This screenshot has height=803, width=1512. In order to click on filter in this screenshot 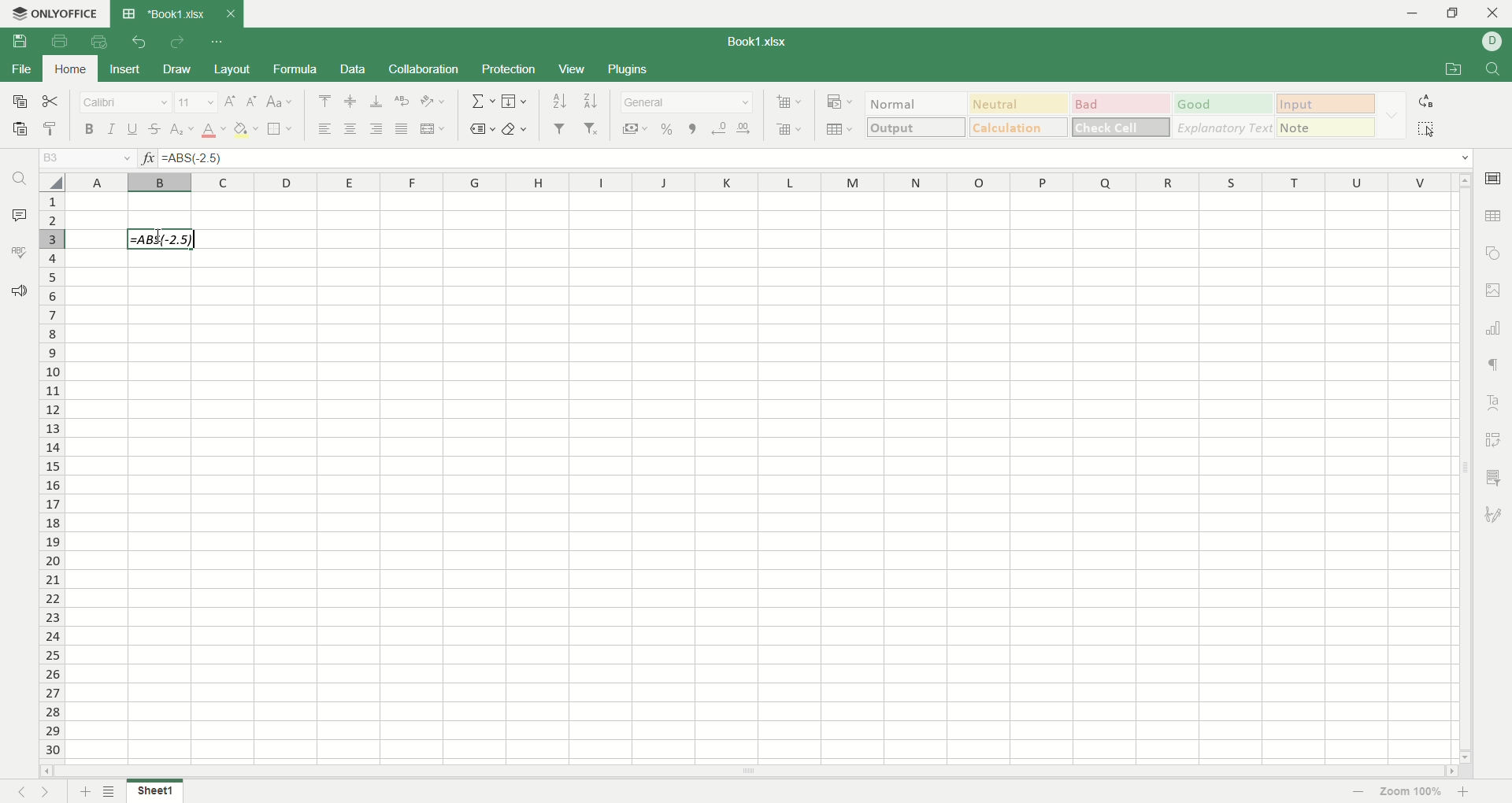, I will do `click(561, 128)`.